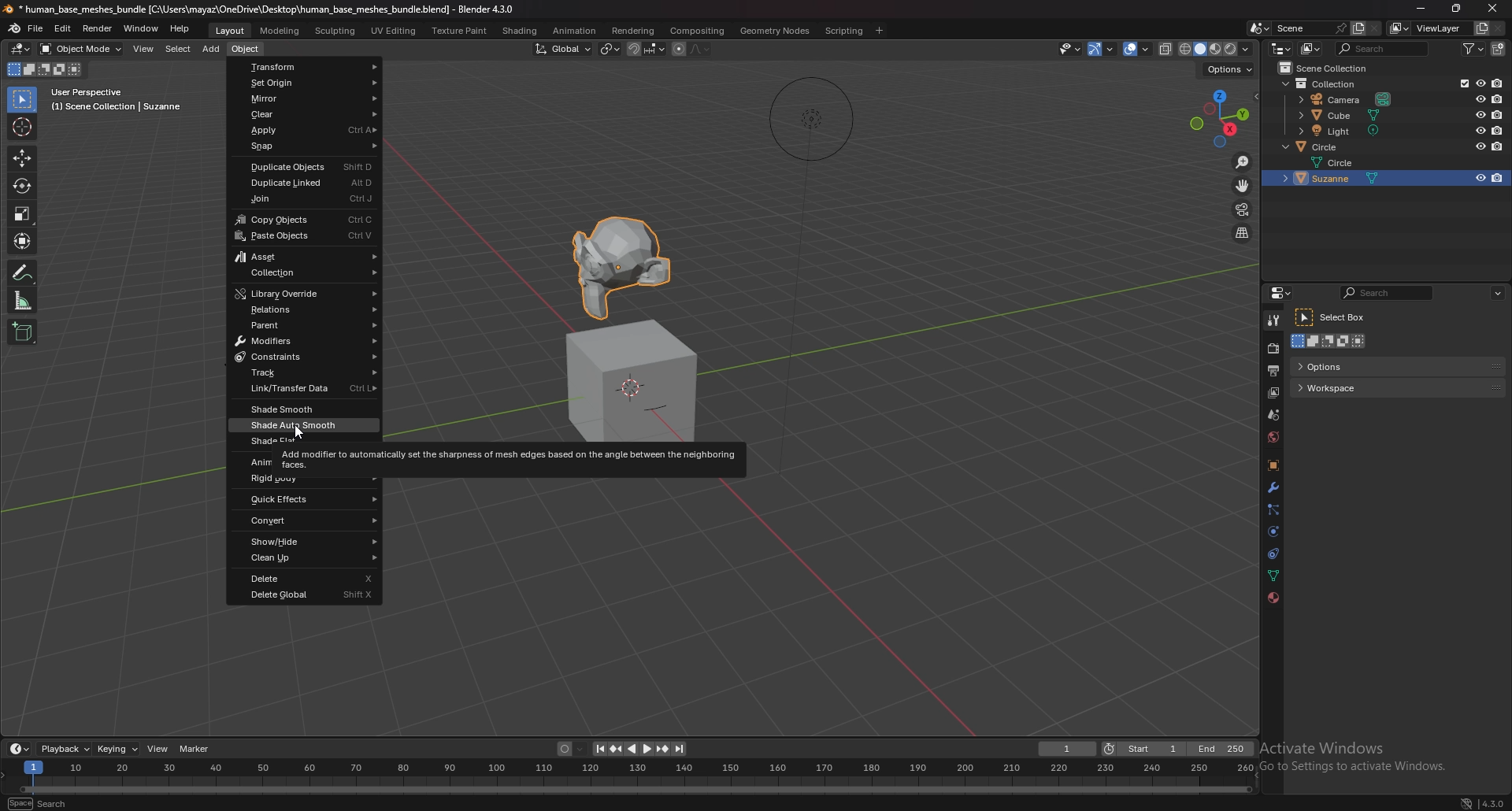 The image size is (1512, 811). What do you see at coordinates (302, 595) in the screenshot?
I see `delete global` at bounding box center [302, 595].